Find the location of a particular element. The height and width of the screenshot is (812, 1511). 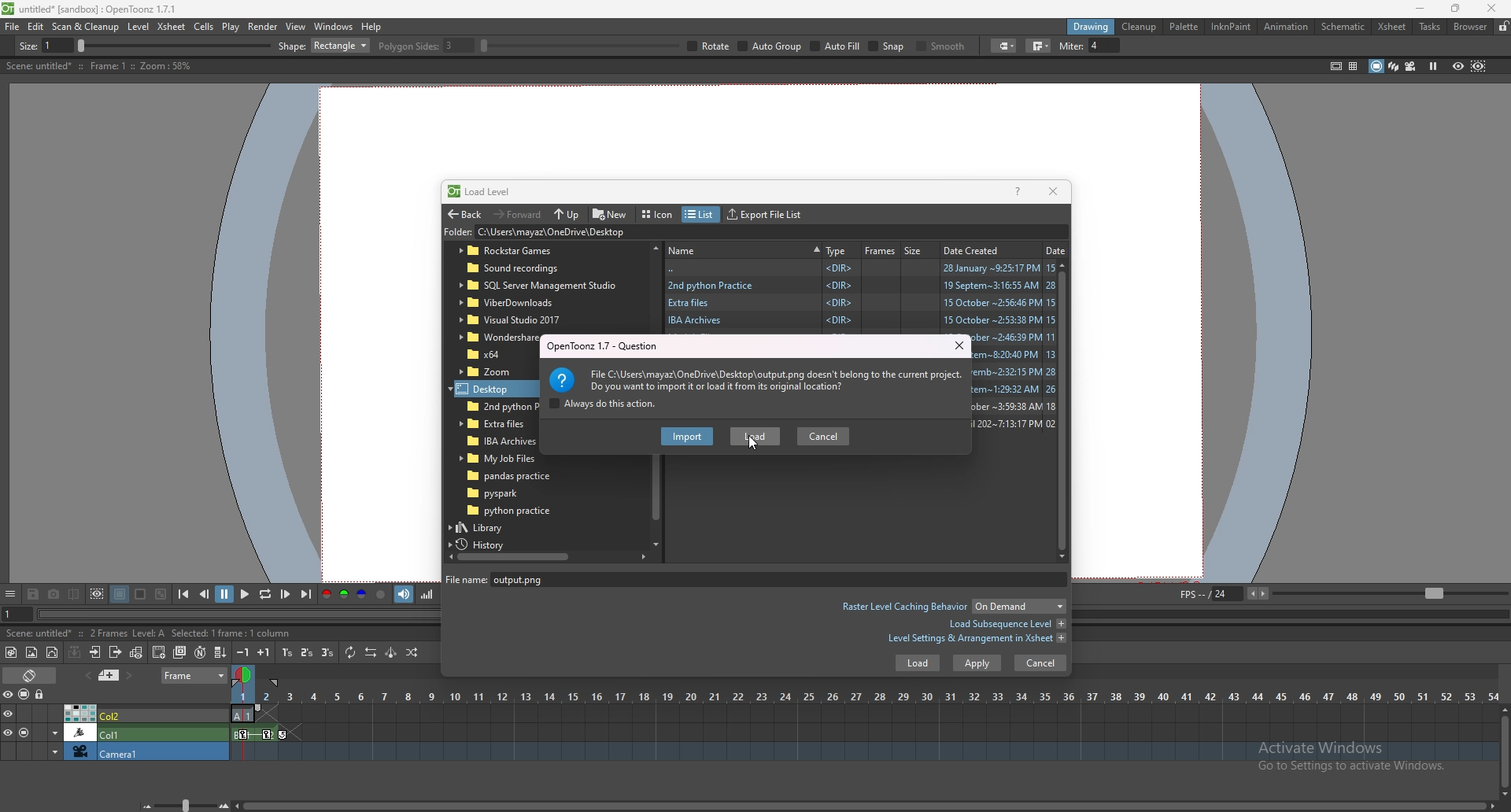

folder is located at coordinates (527, 251).